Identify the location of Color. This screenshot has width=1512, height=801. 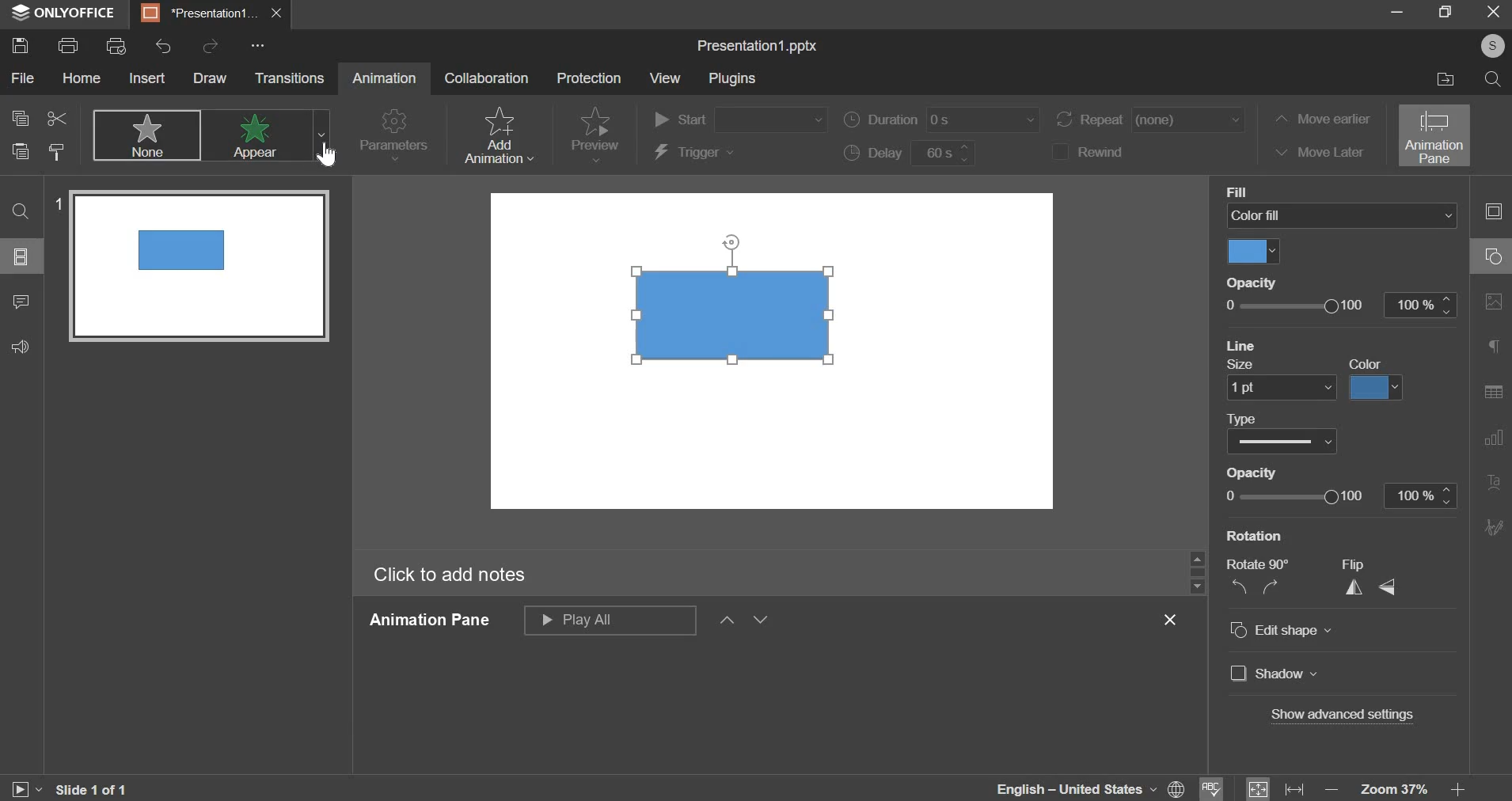
(1362, 363).